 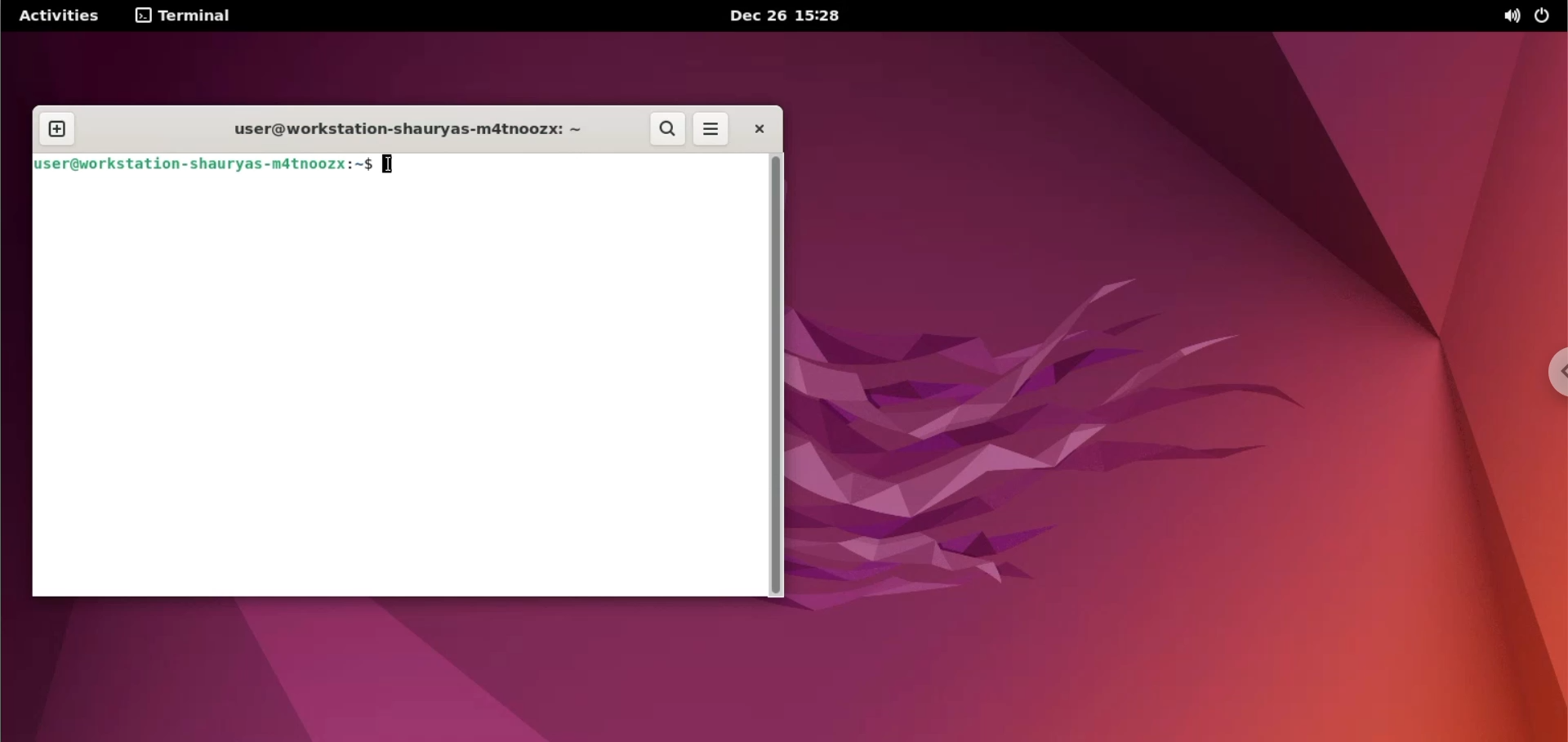 What do you see at coordinates (185, 16) in the screenshot?
I see `terminal options` at bounding box center [185, 16].